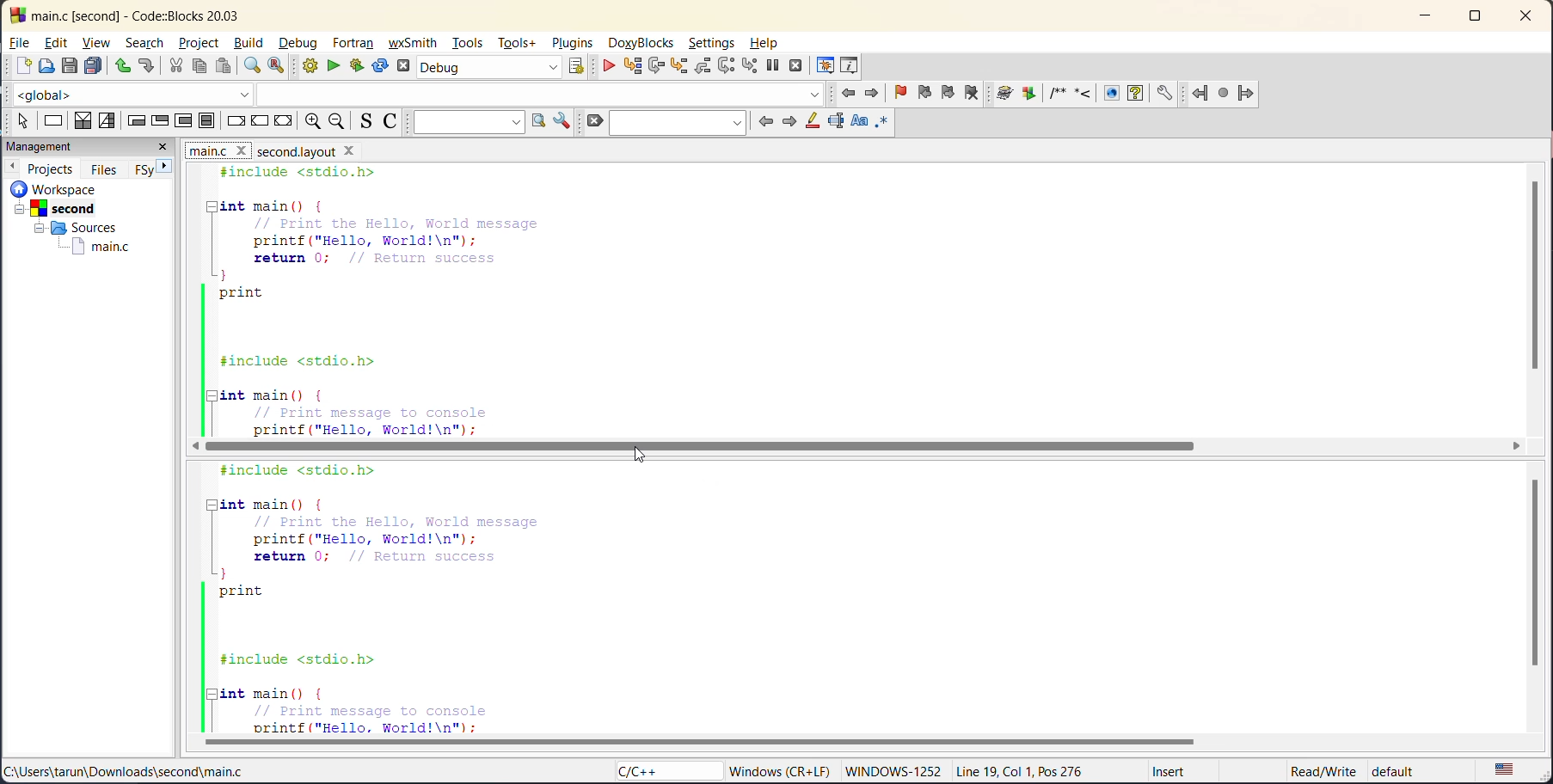 The width and height of the screenshot is (1553, 784). I want to click on selection, so click(107, 121).